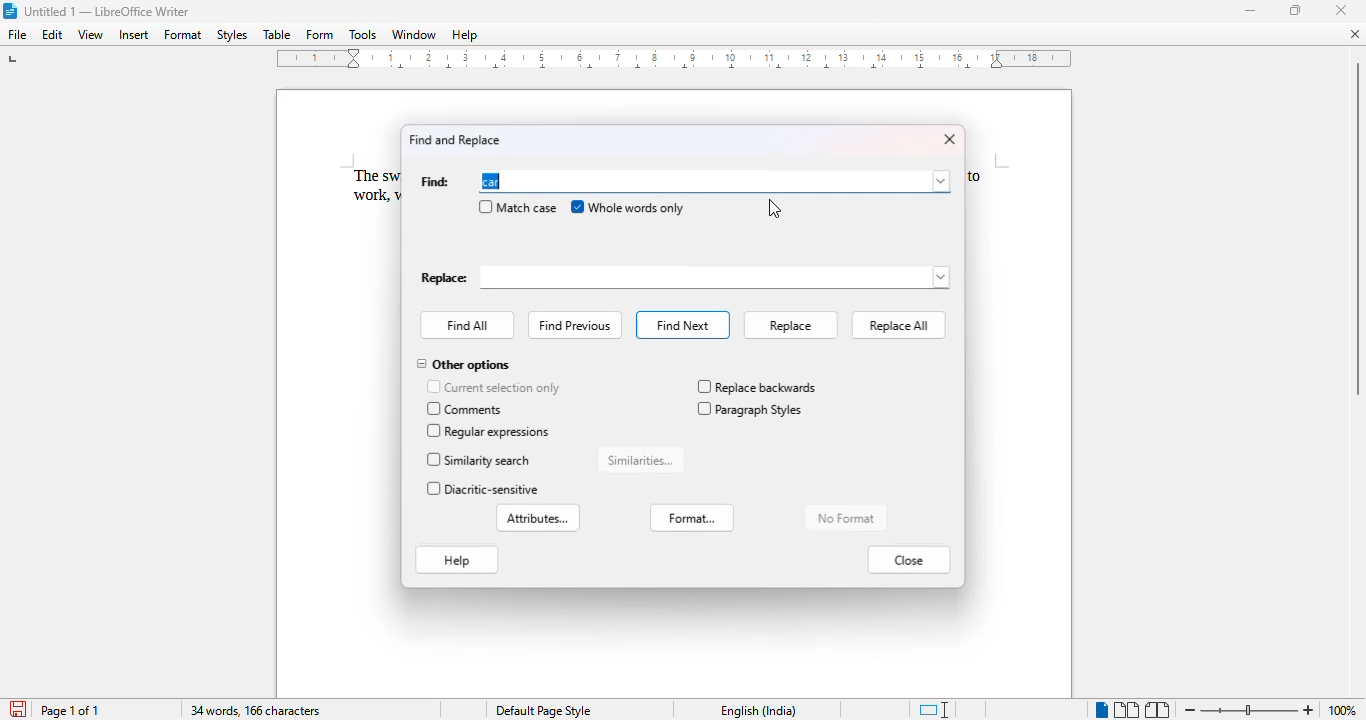 The image size is (1366, 720). What do you see at coordinates (750, 408) in the screenshot?
I see `paragraph styles` at bounding box center [750, 408].